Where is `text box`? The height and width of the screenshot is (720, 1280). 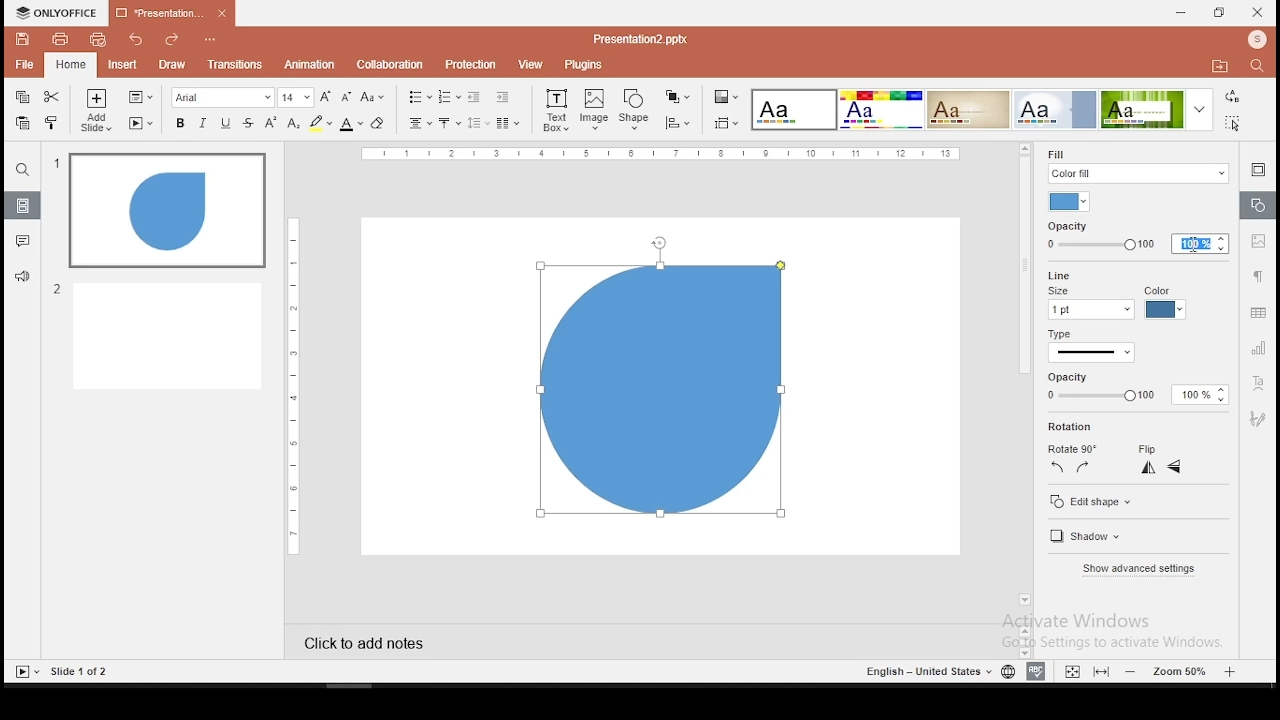 text box is located at coordinates (556, 110).